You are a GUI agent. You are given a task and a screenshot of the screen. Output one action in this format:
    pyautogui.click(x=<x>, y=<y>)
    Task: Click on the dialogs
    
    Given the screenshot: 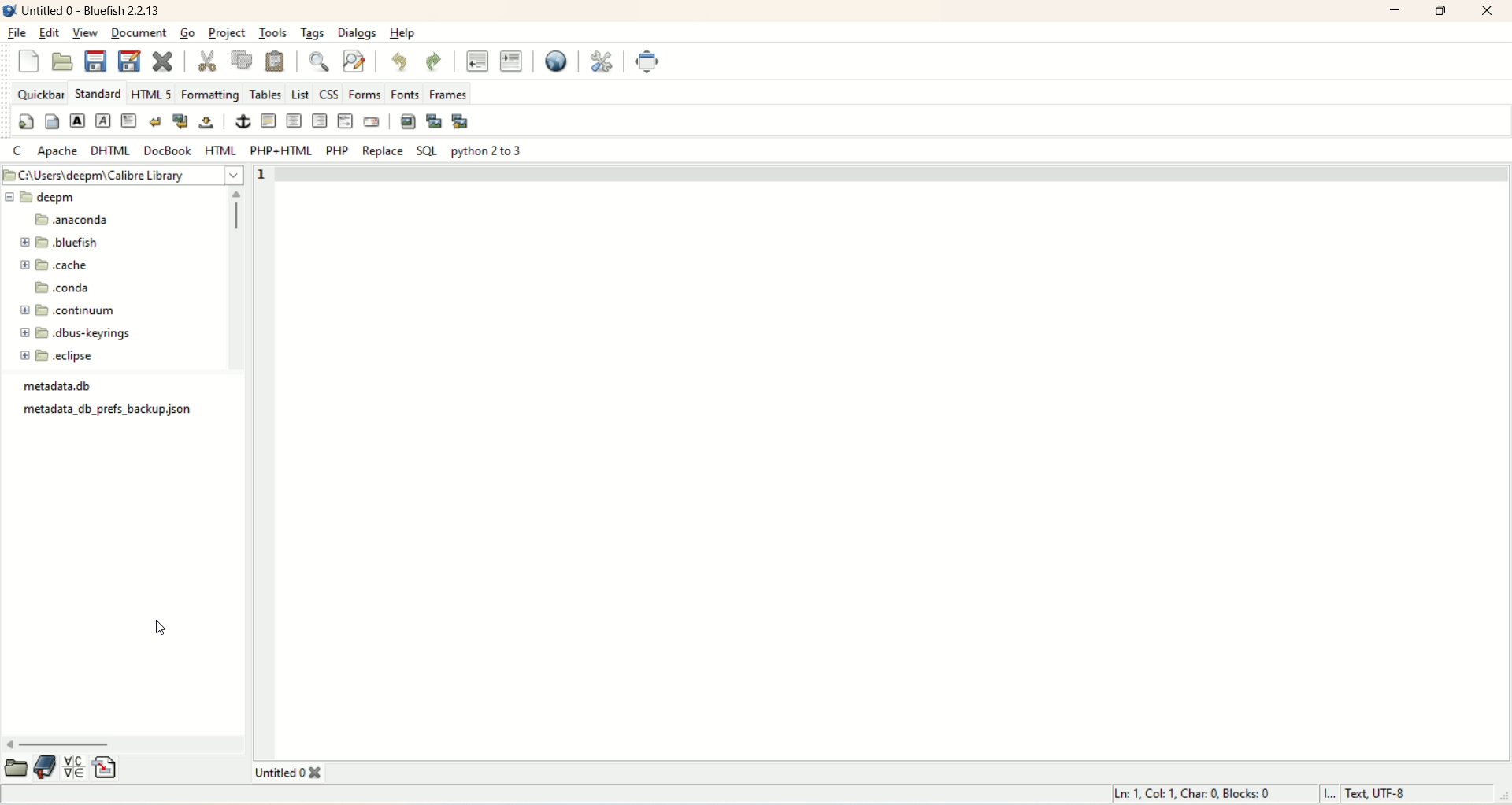 What is the action you would take?
    pyautogui.click(x=358, y=33)
    